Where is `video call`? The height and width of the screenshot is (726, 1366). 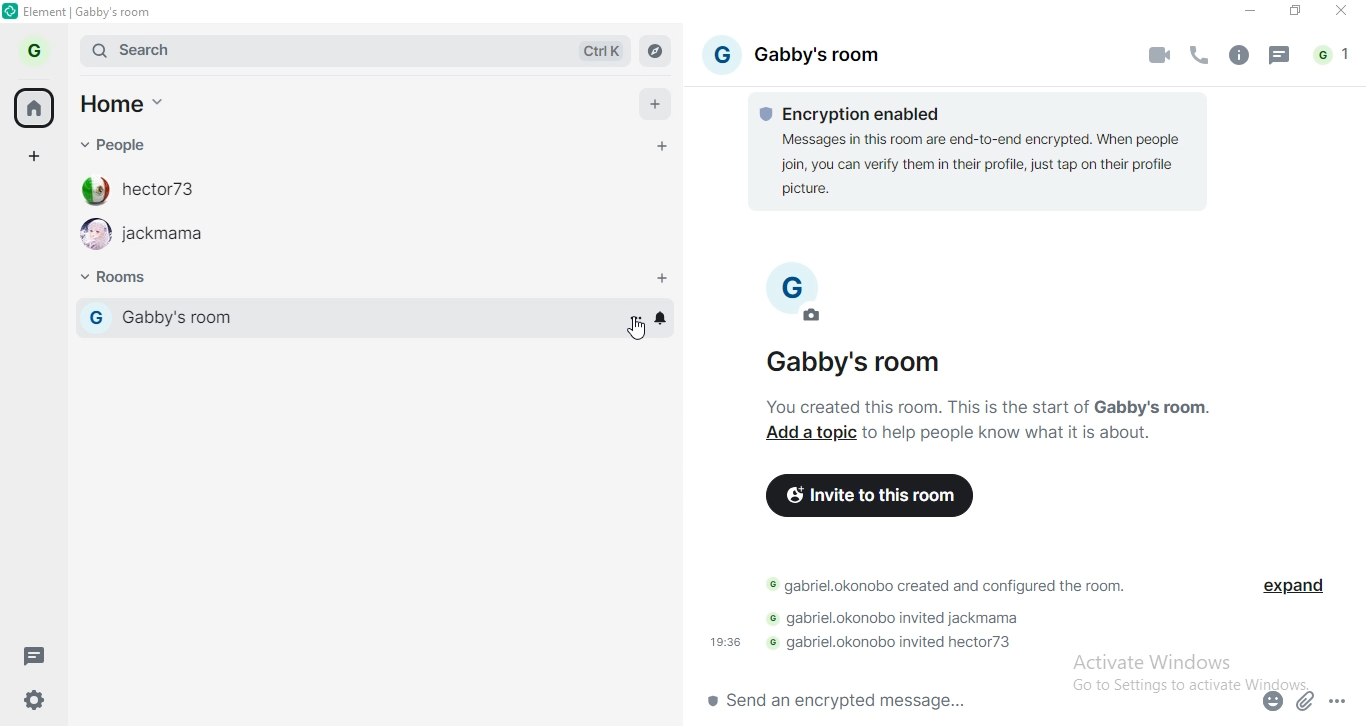
video call is located at coordinates (1151, 58).